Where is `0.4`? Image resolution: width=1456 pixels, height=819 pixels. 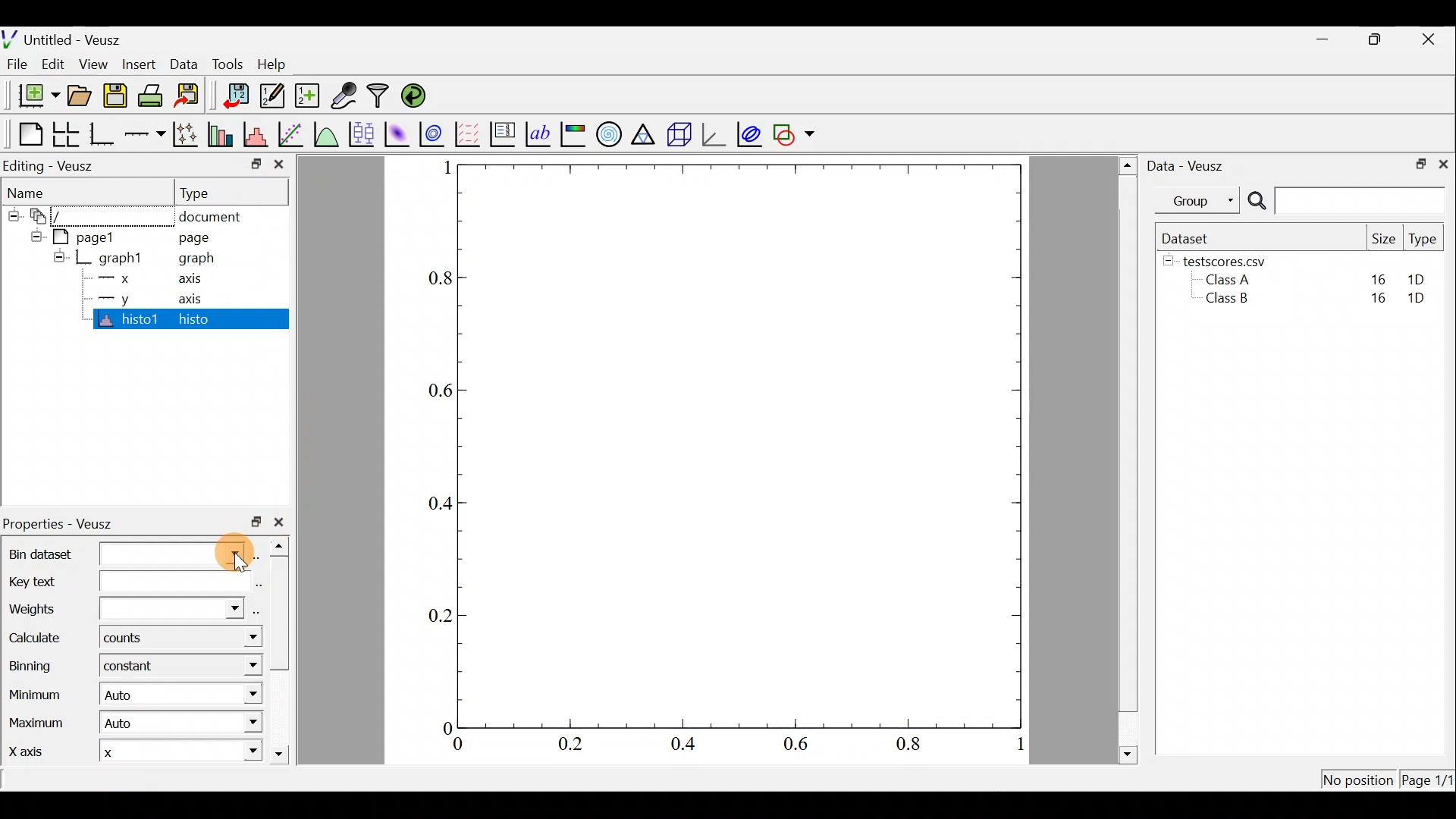
0.4 is located at coordinates (689, 747).